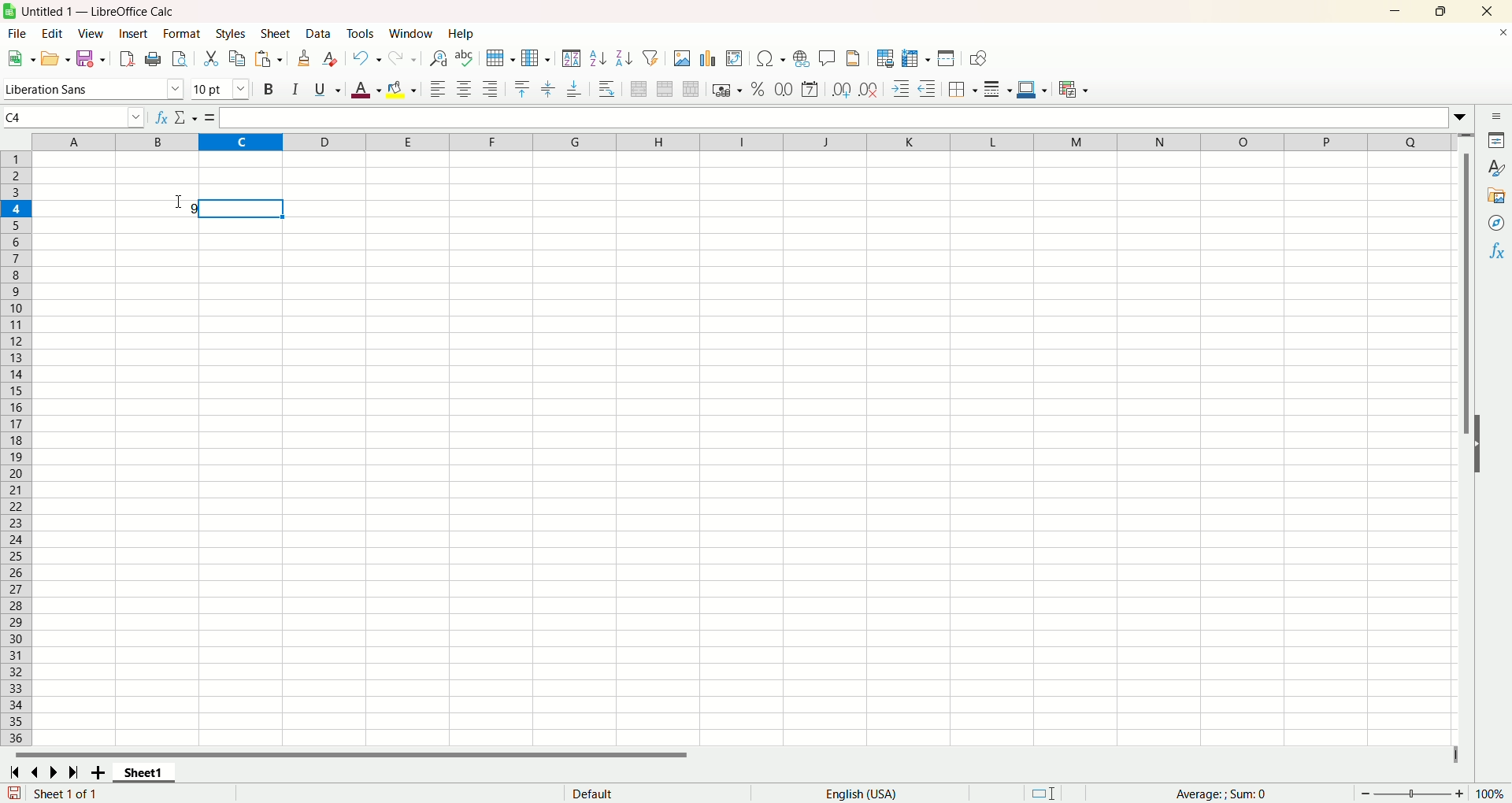 This screenshot has width=1512, height=803. I want to click on split windows, so click(947, 60).